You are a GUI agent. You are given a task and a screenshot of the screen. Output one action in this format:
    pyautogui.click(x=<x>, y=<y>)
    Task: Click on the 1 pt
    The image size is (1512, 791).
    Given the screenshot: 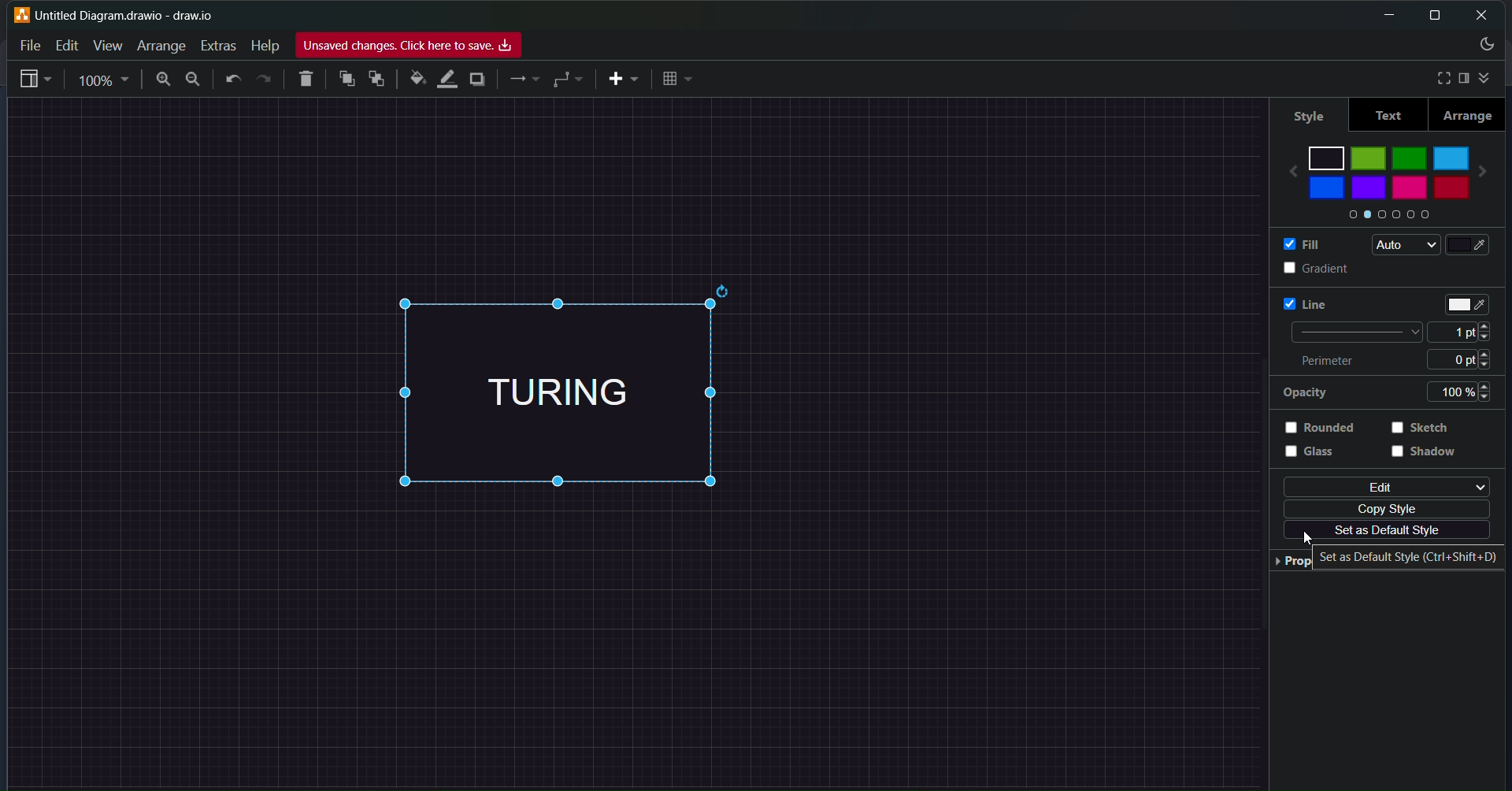 What is the action you would take?
    pyautogui.click(x=1466, y=332)
    